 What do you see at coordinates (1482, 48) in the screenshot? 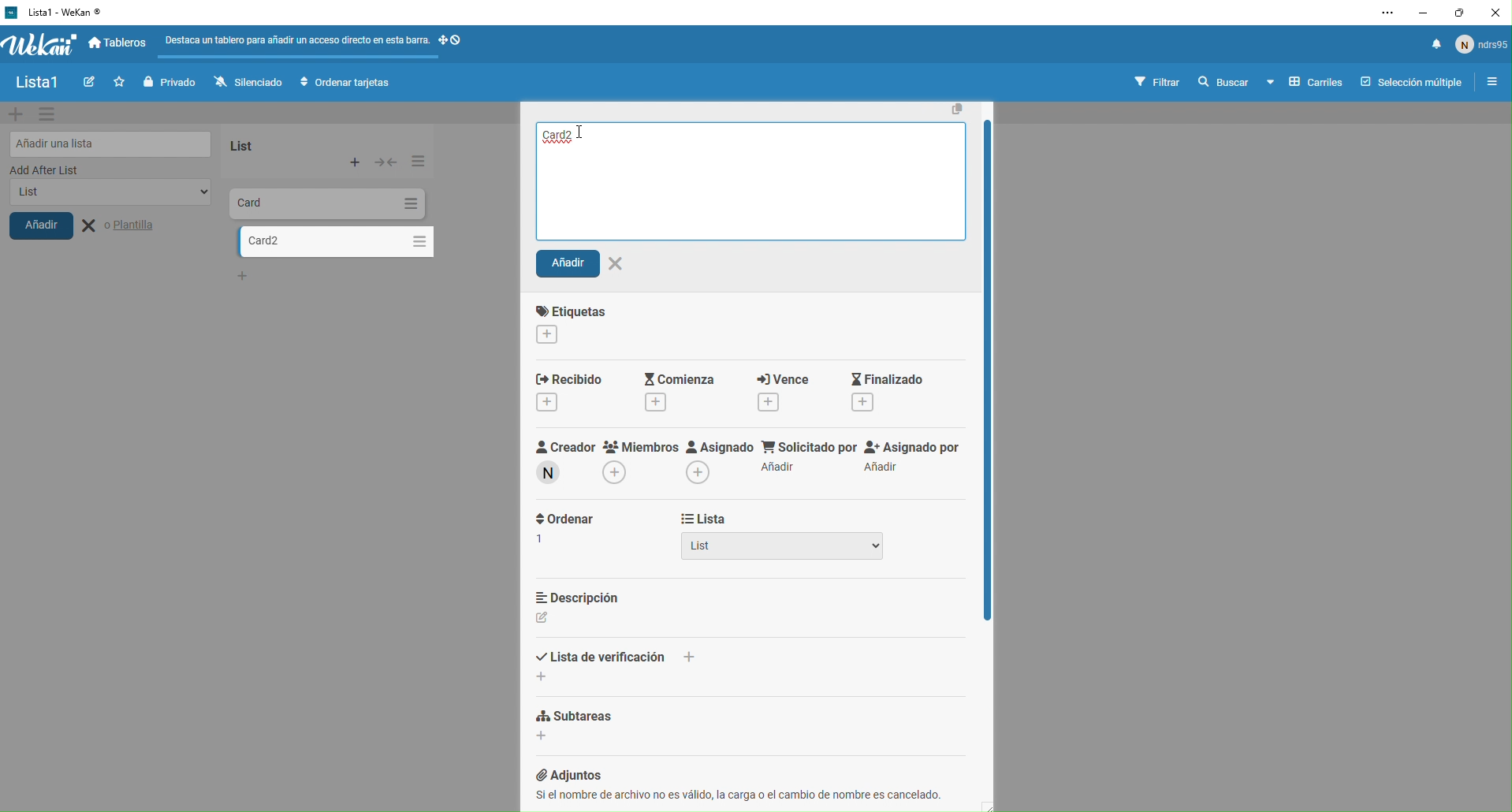
I see `usuario` at bounding box center [1482, 48].